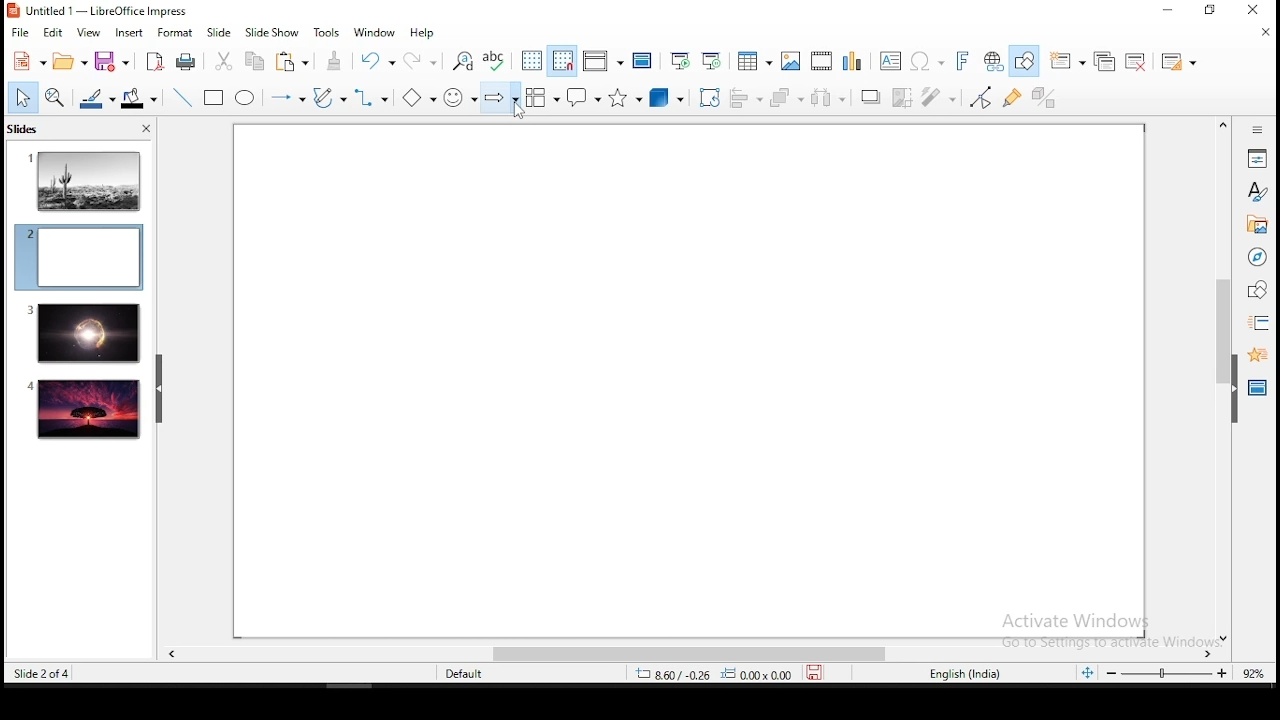 This screenshot has width=1280, height=720. Describe the element at coordinates (23, 97) in the screenshot. I see `select` at that location.